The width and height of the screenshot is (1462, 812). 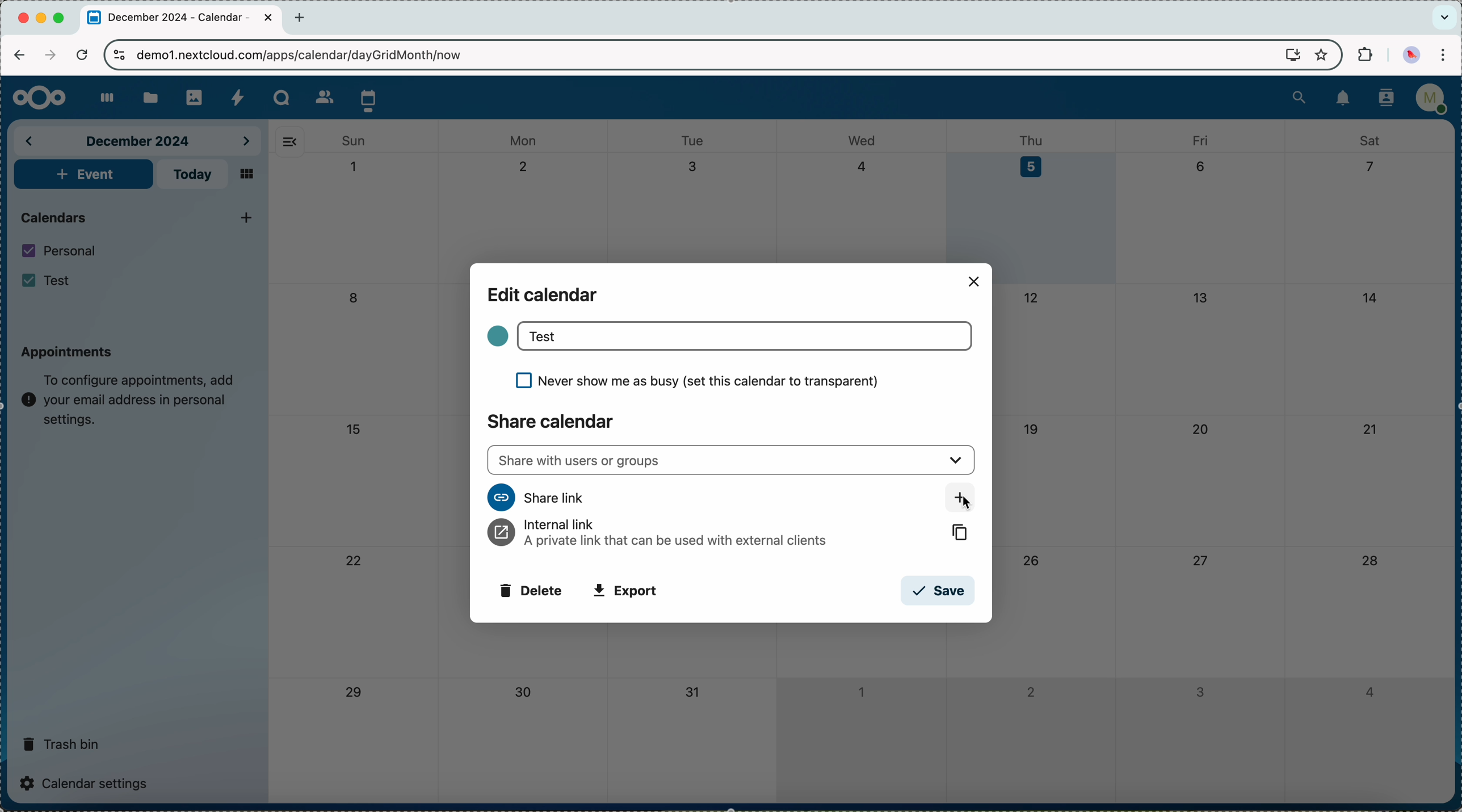 What do you see at coordinates (733, 460) in the screenshot?
I see `share with users or groups` at bounding box center [733, 460].